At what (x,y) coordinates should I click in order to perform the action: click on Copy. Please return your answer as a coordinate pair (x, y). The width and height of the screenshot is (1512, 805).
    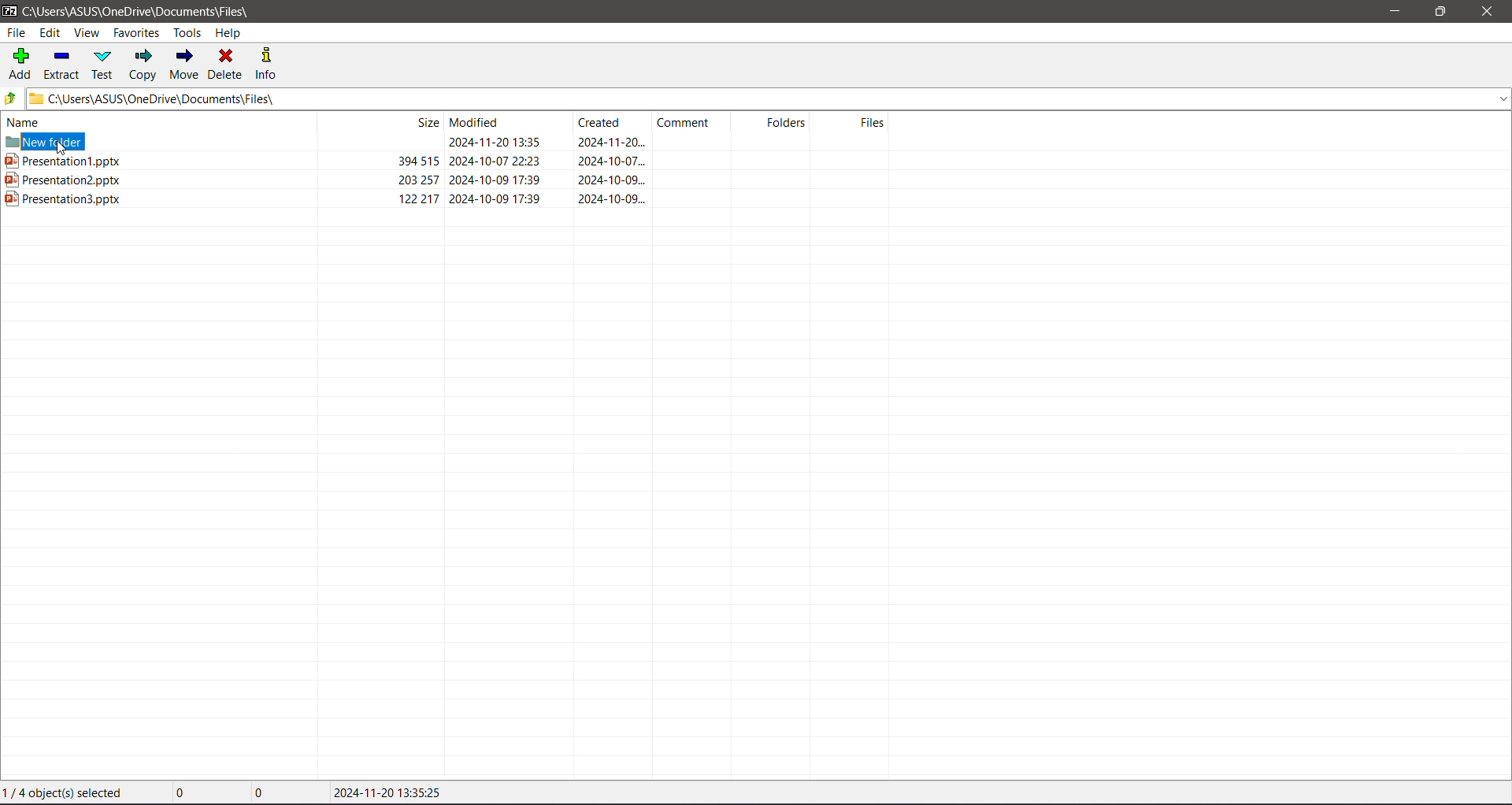
    Looking at the image, I should click on (143, 65).